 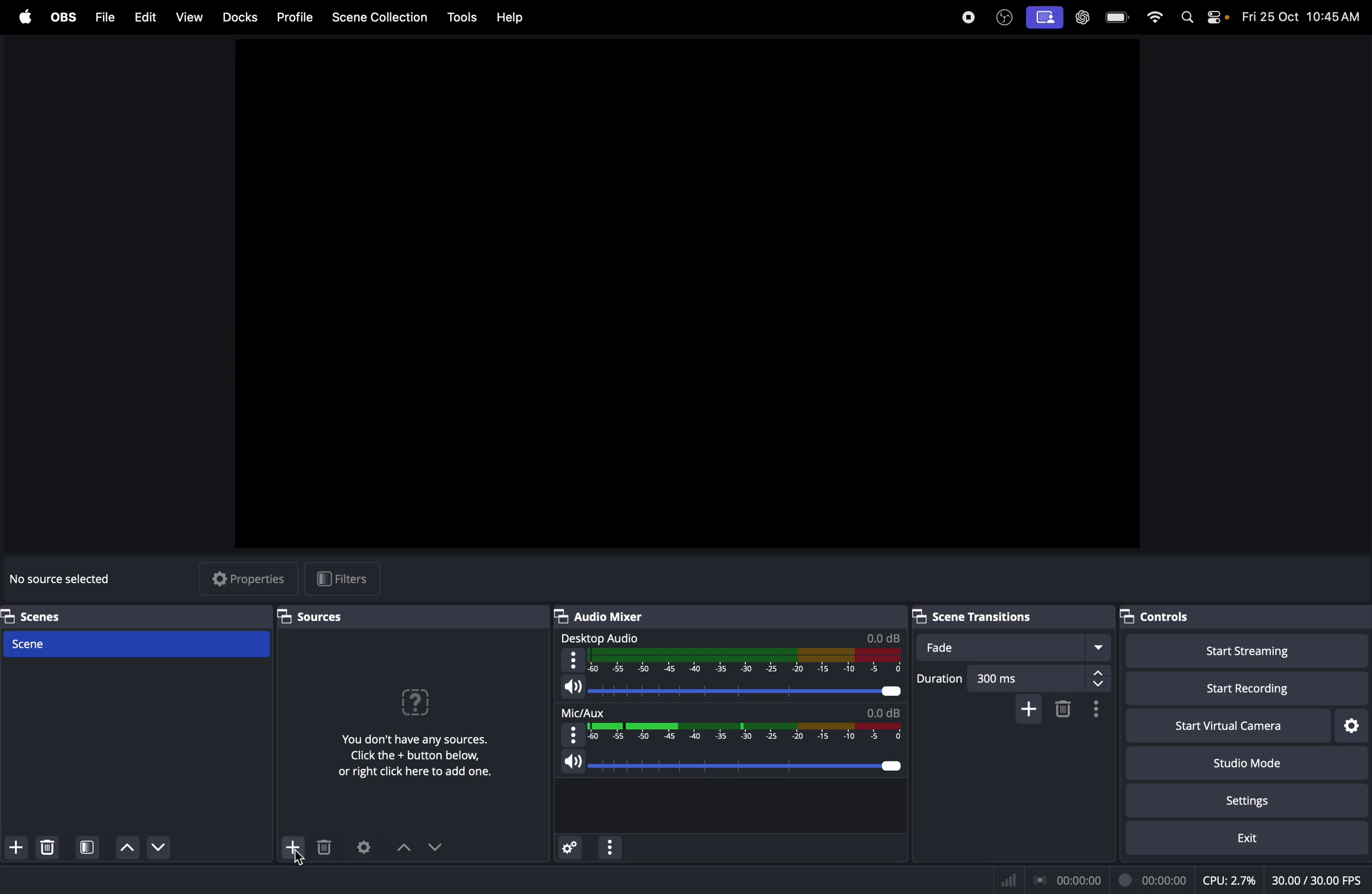 What do you see at coordinates (1046, 18) in the screenshot?
I see `screen record` at bounding box center [1046, 18].